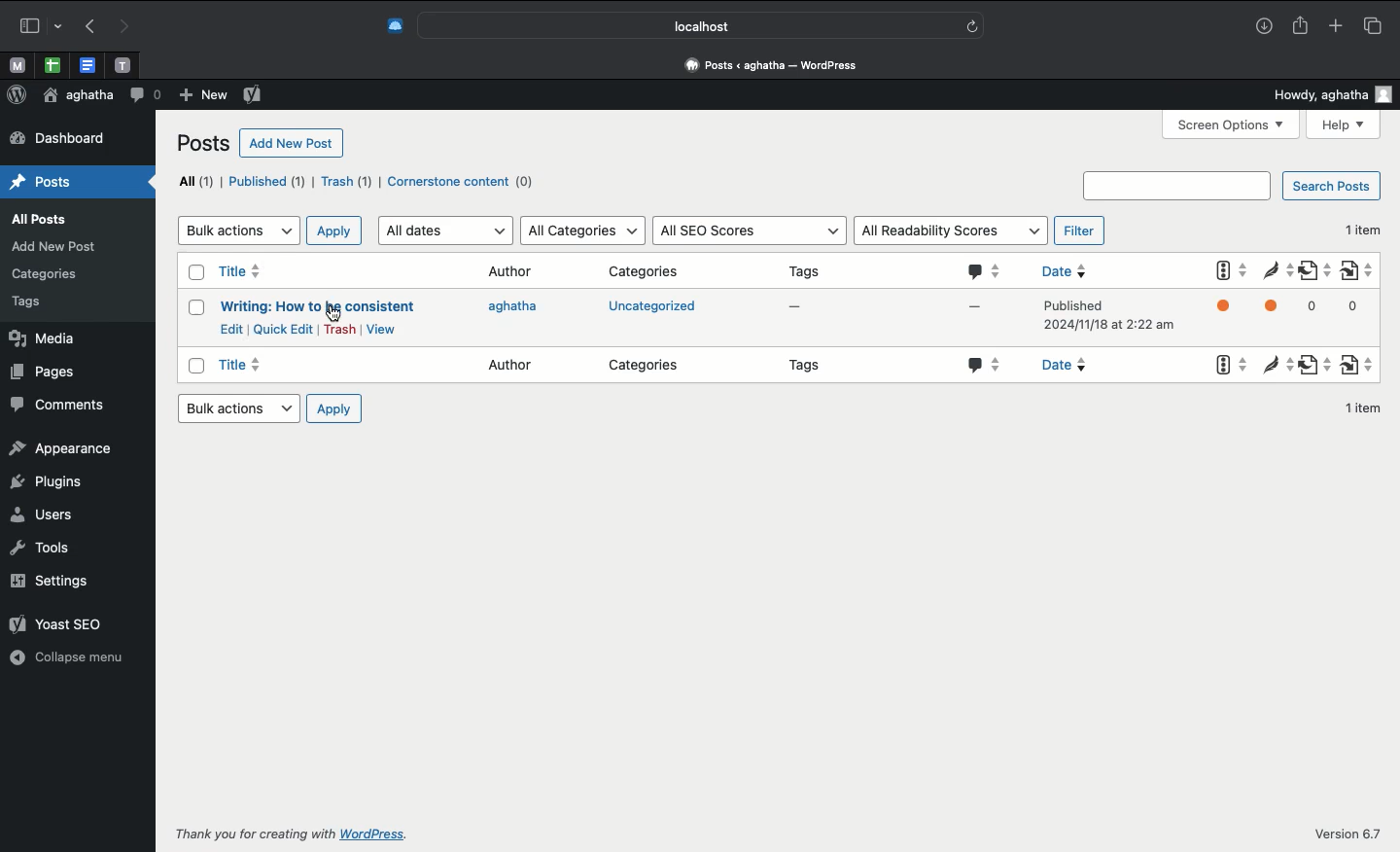 This screenshot has width=1400, height=852. What do you see at coordinates (1333, 186) in the screenshot?
I see `Search posts` at bounding box center [1333, 186].